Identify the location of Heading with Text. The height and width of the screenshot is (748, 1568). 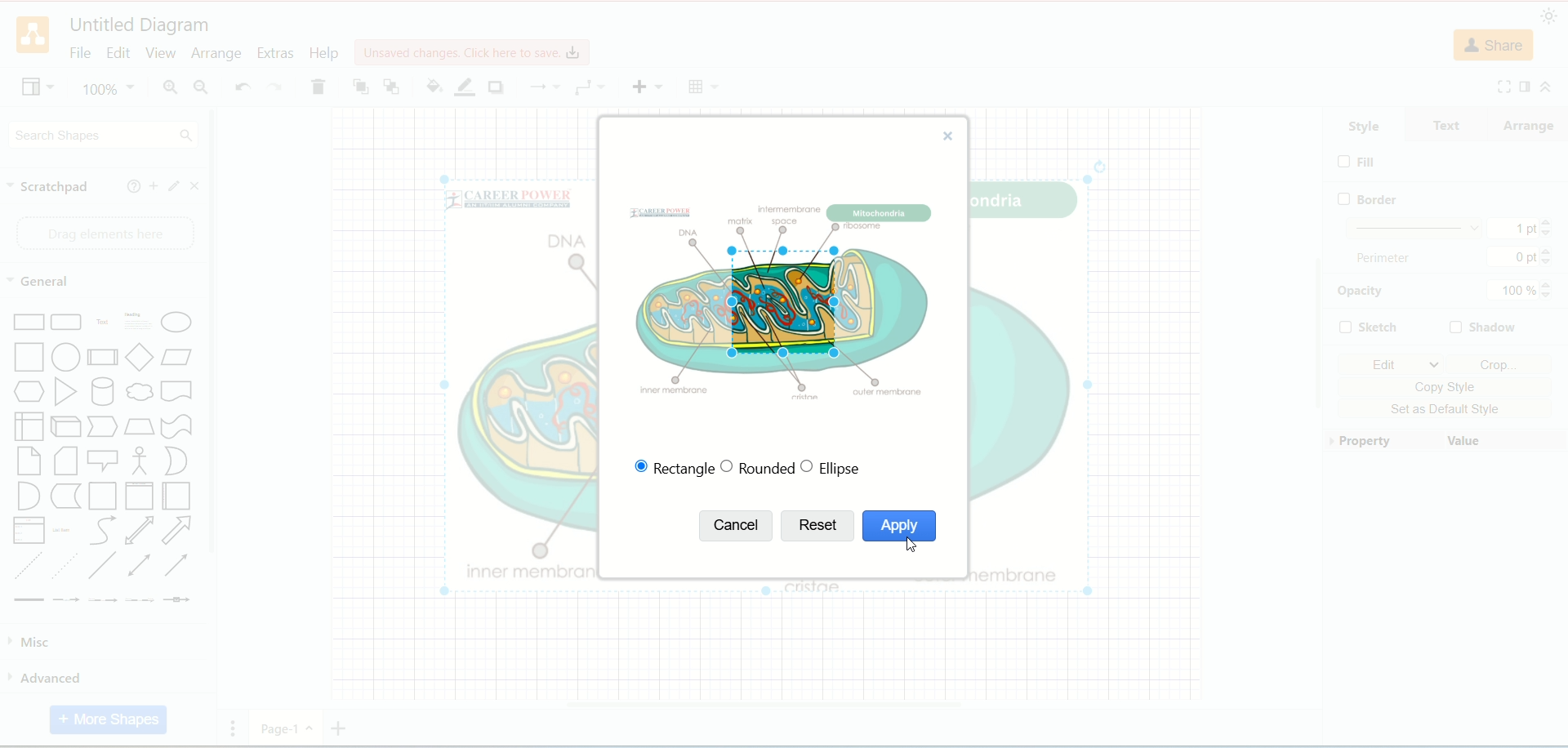
(139, 323).